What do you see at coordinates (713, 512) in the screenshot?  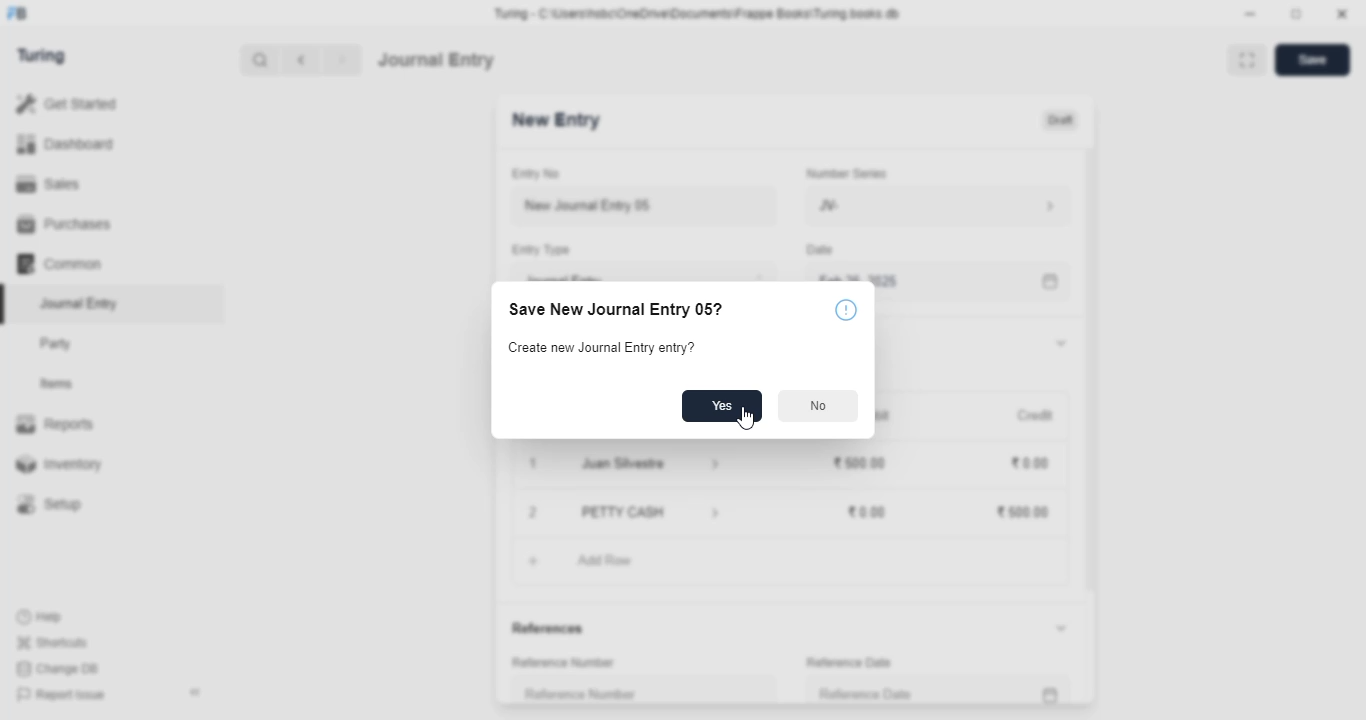 I see `account information` at bounding box center [713, 512].